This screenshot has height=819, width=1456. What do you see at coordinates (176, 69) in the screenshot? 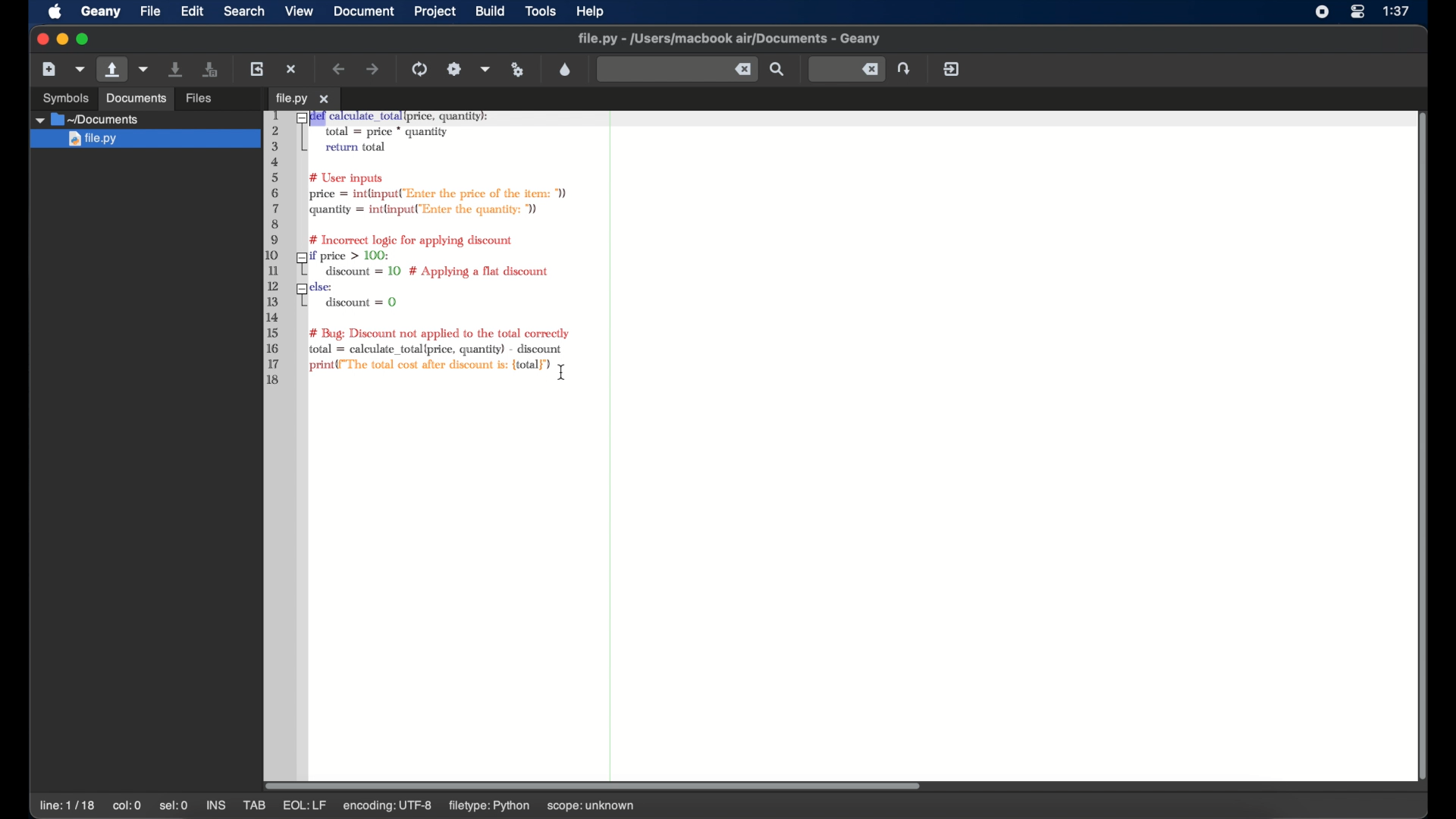
I see `save current file` at bounding box center [176, 69].